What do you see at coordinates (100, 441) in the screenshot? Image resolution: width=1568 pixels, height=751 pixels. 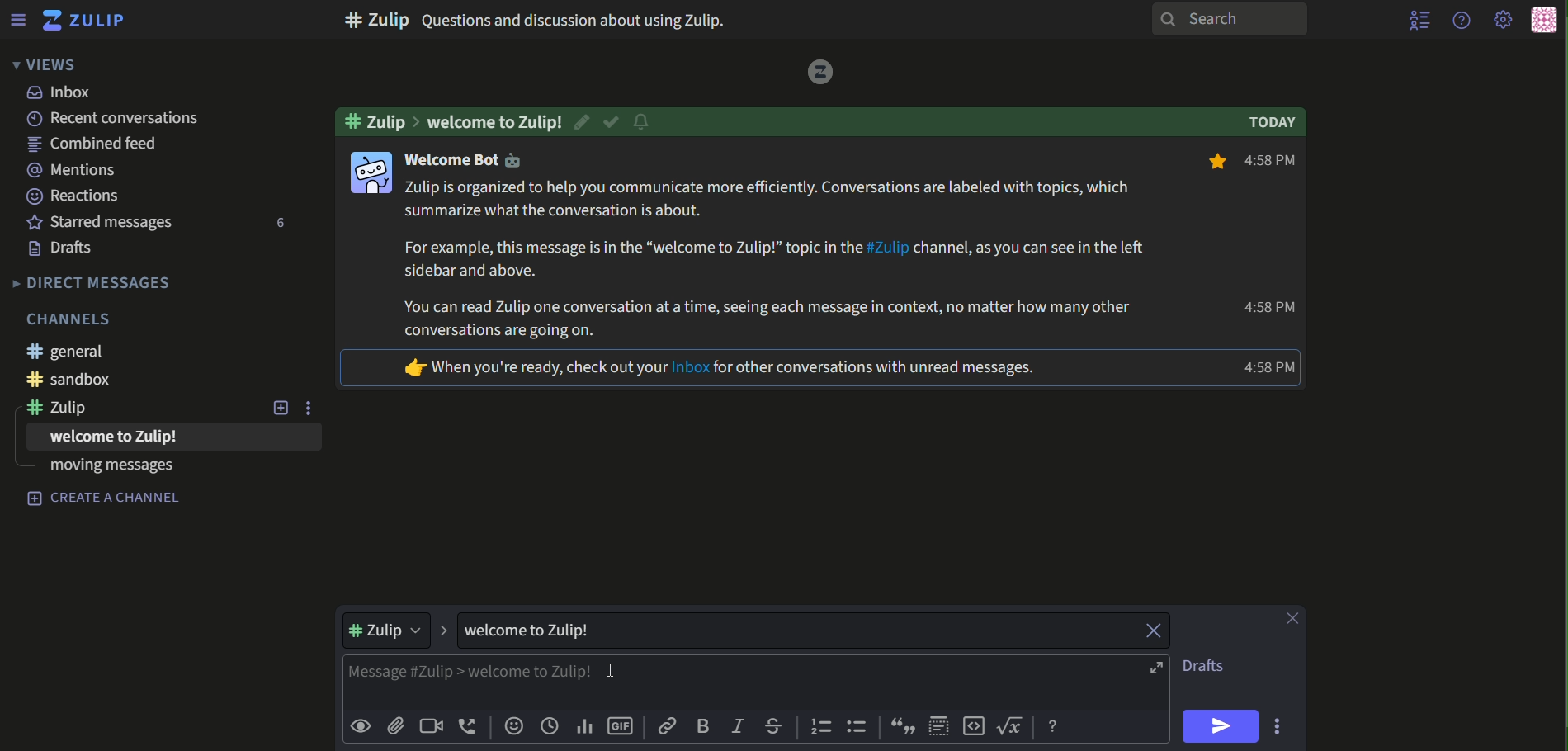 I see `text` at bounding box center [100, 441].